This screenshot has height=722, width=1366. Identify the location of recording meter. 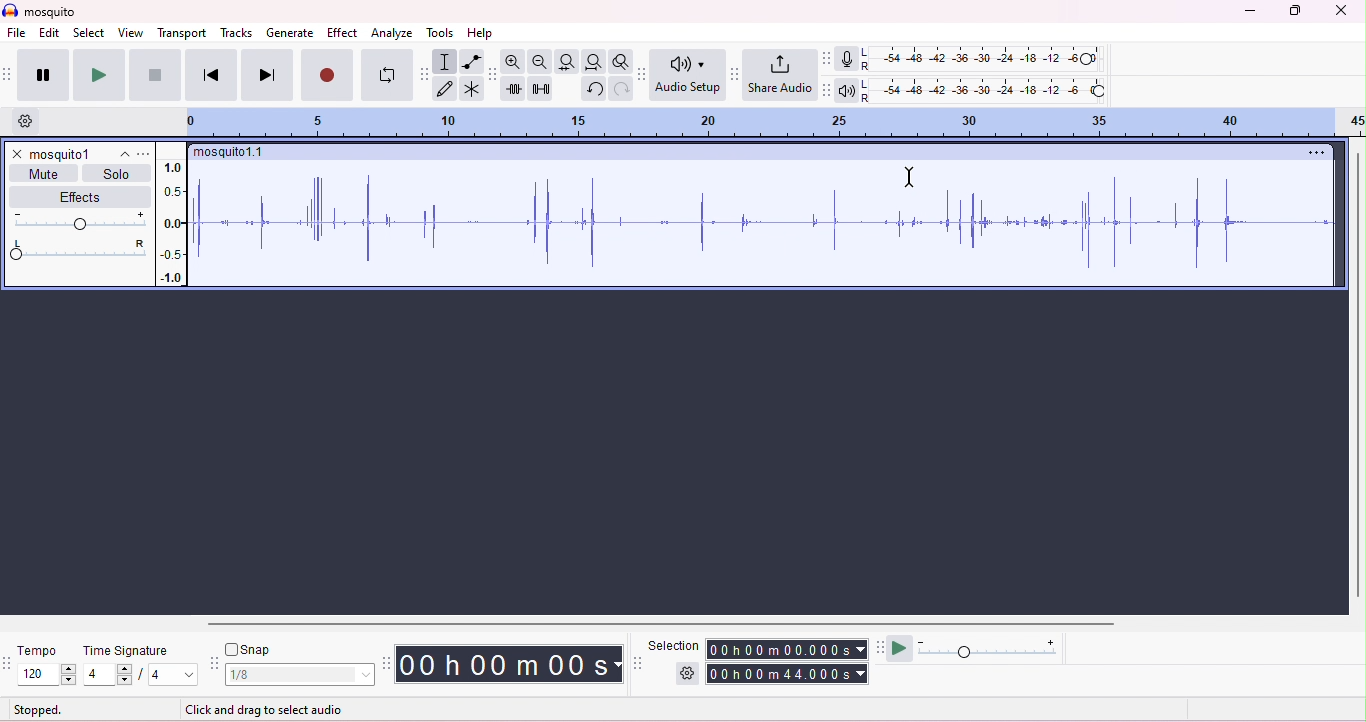
(846, 60).